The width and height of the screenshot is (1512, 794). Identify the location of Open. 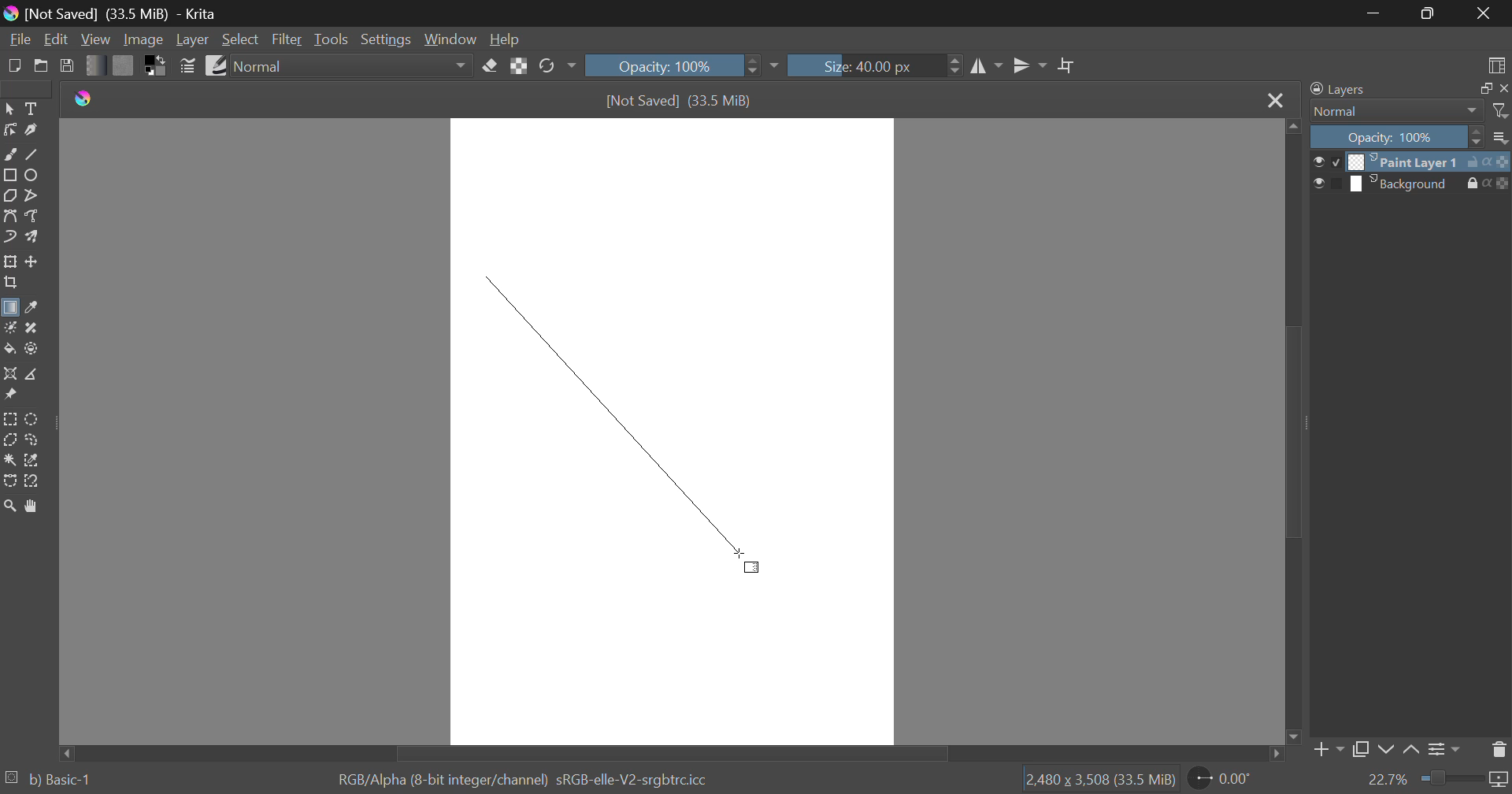
(41, 65).